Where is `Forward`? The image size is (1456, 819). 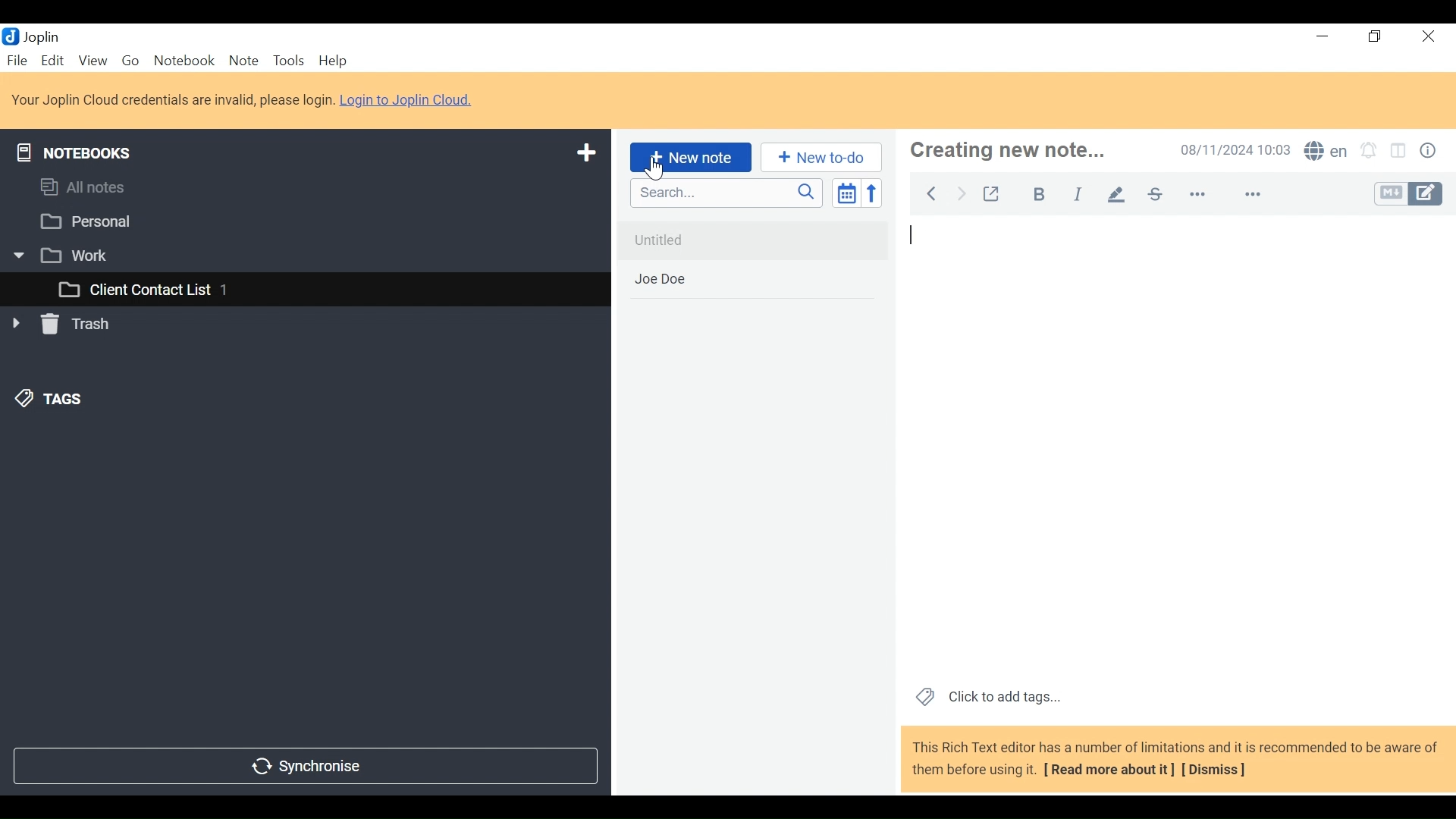 Forward is located at coordinates (962, 193).